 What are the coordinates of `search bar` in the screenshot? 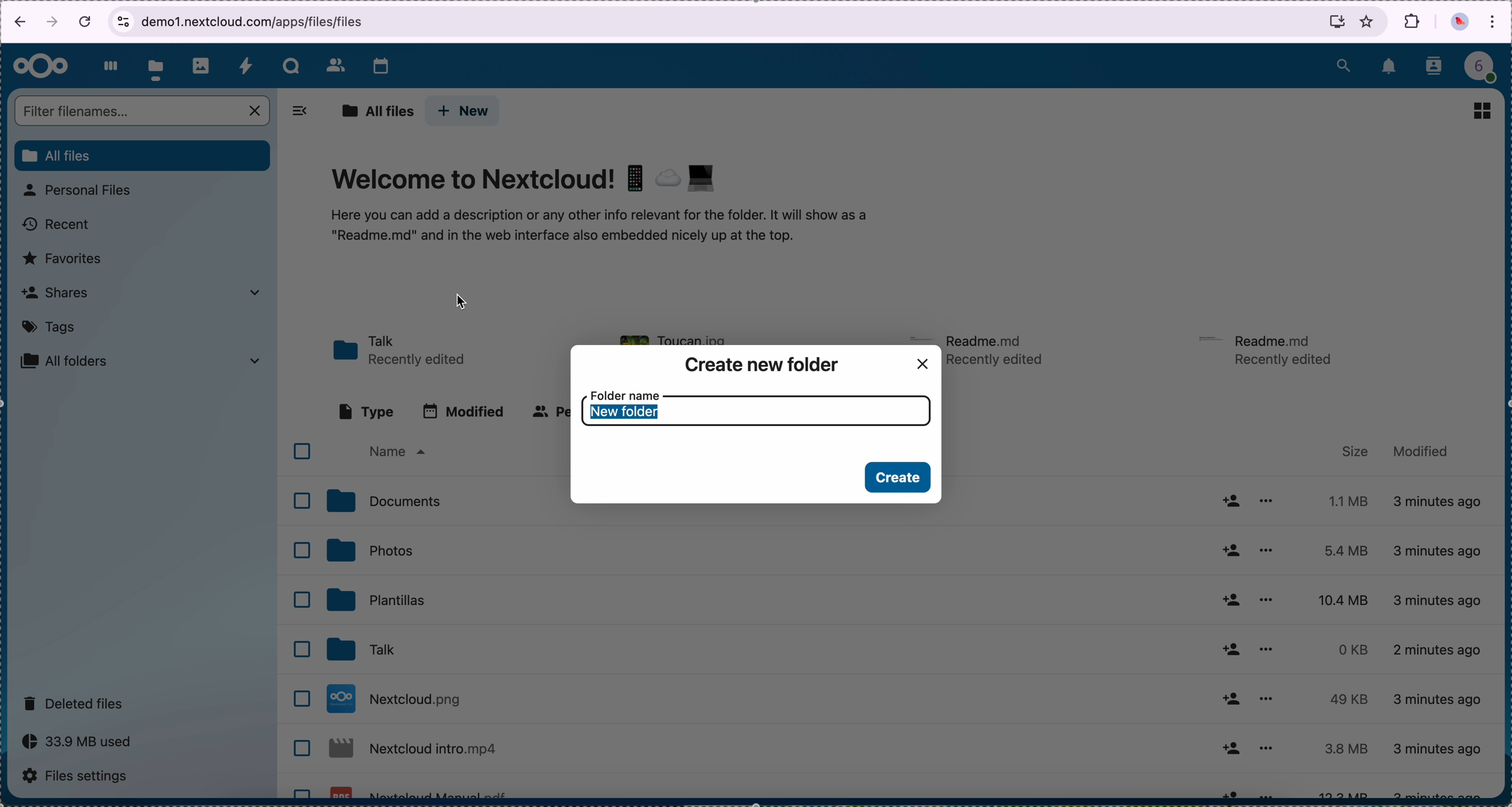 It's located at (144, 112).